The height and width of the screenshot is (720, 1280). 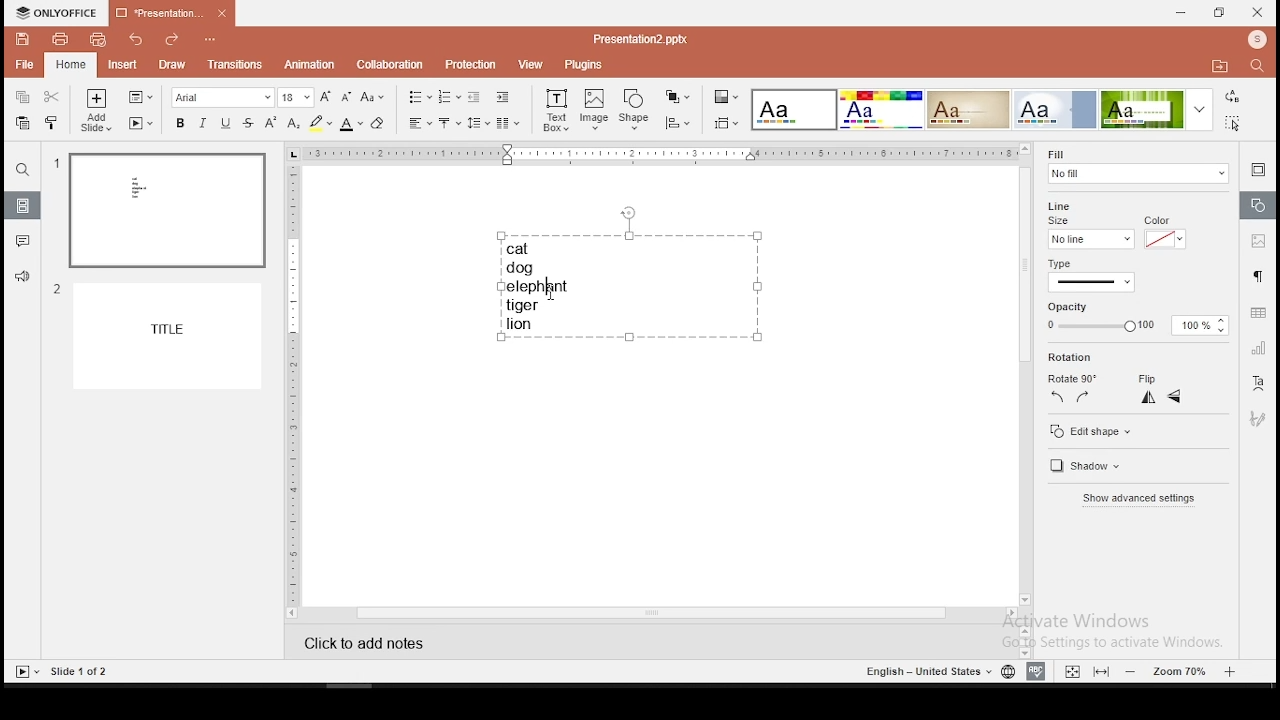 What do you see at coordinates (1120, 276) in the screenshot?
I see `Type` at bounding box center [1120, 276].